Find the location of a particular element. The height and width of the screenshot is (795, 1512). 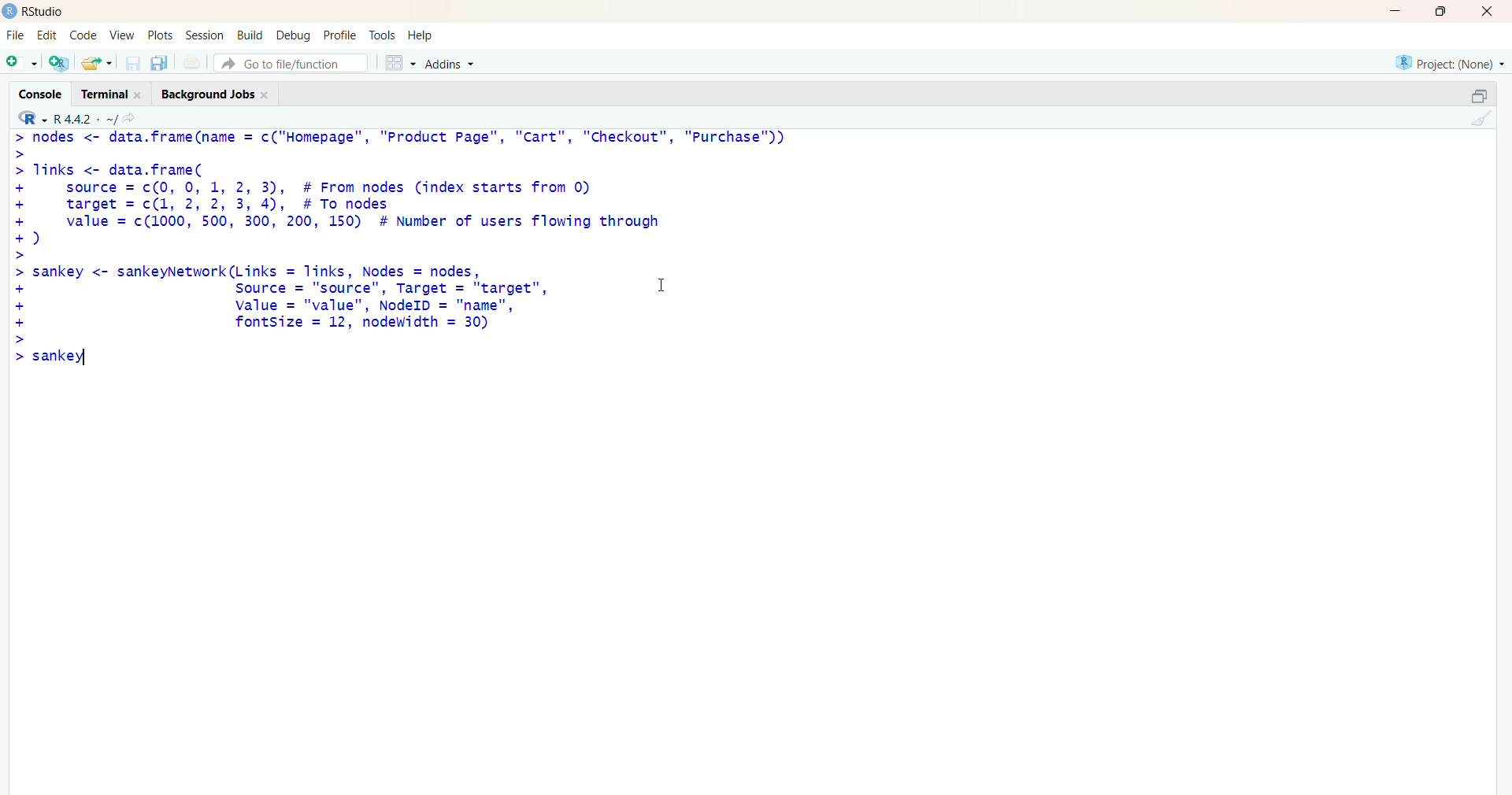

build is located at coordinates (247, 35).